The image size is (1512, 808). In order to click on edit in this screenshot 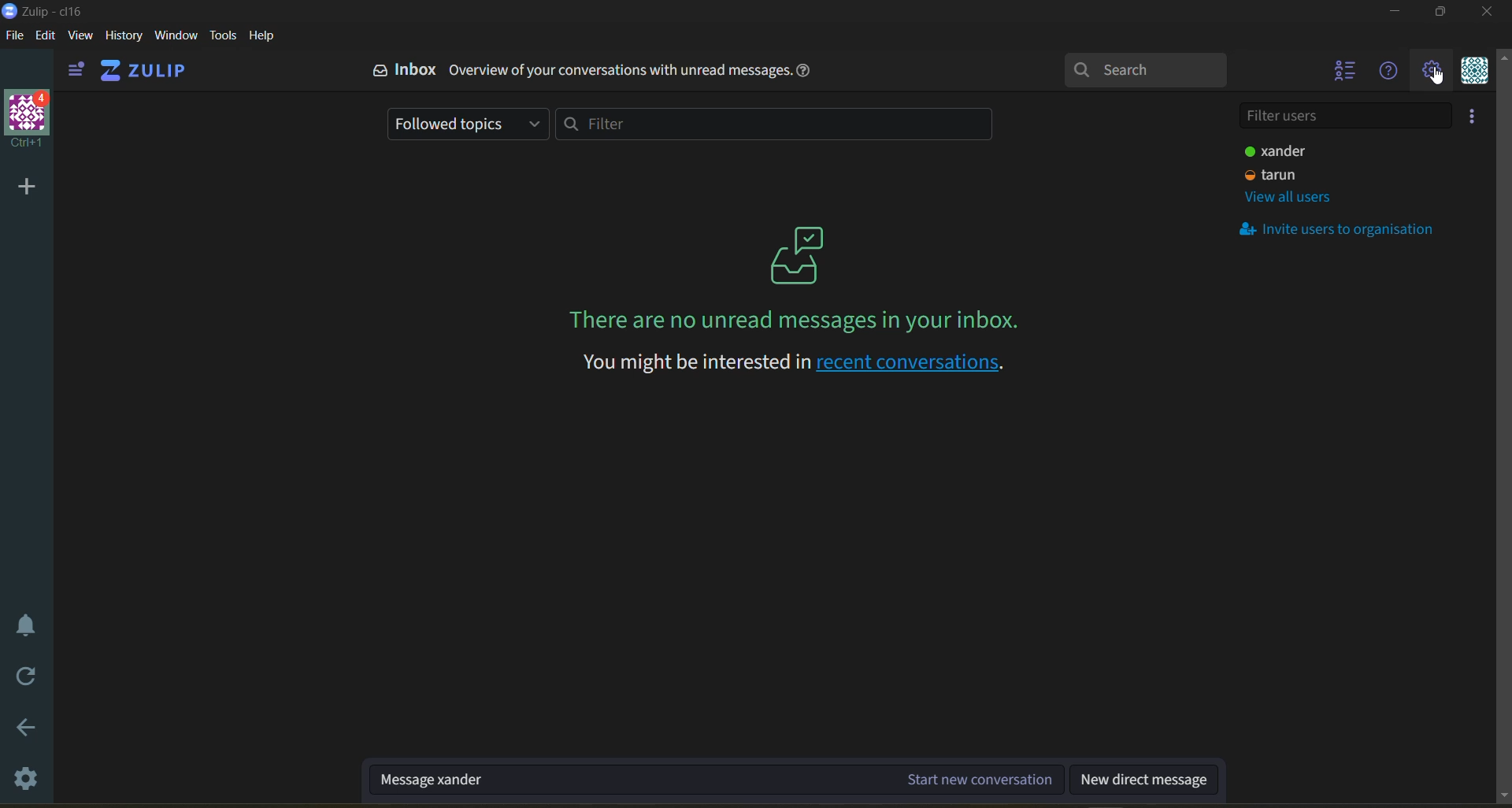, I will do `click(45, 36)`.